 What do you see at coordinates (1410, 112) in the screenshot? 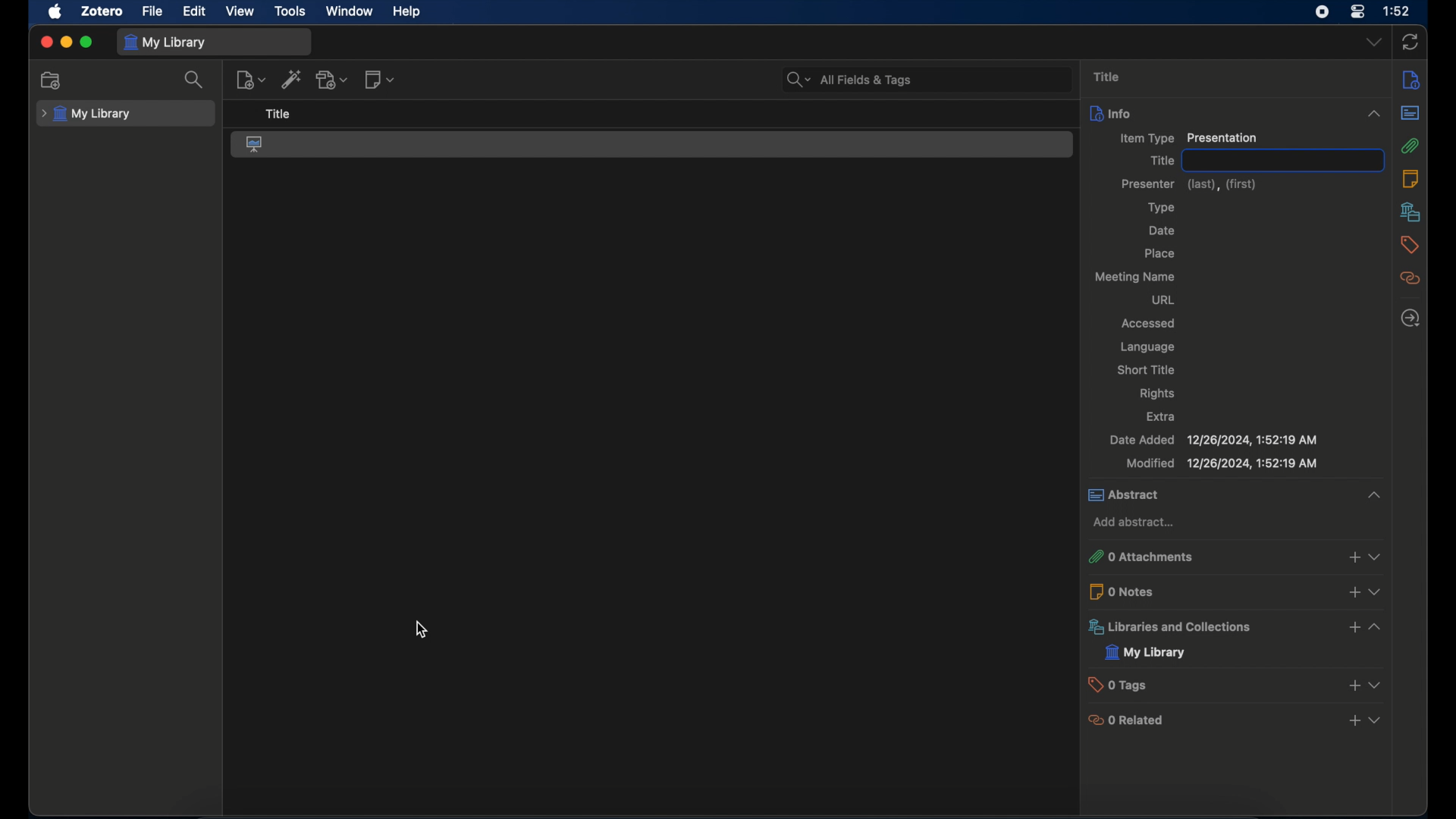
I see `abstract` at bounding box center [1410, 112].